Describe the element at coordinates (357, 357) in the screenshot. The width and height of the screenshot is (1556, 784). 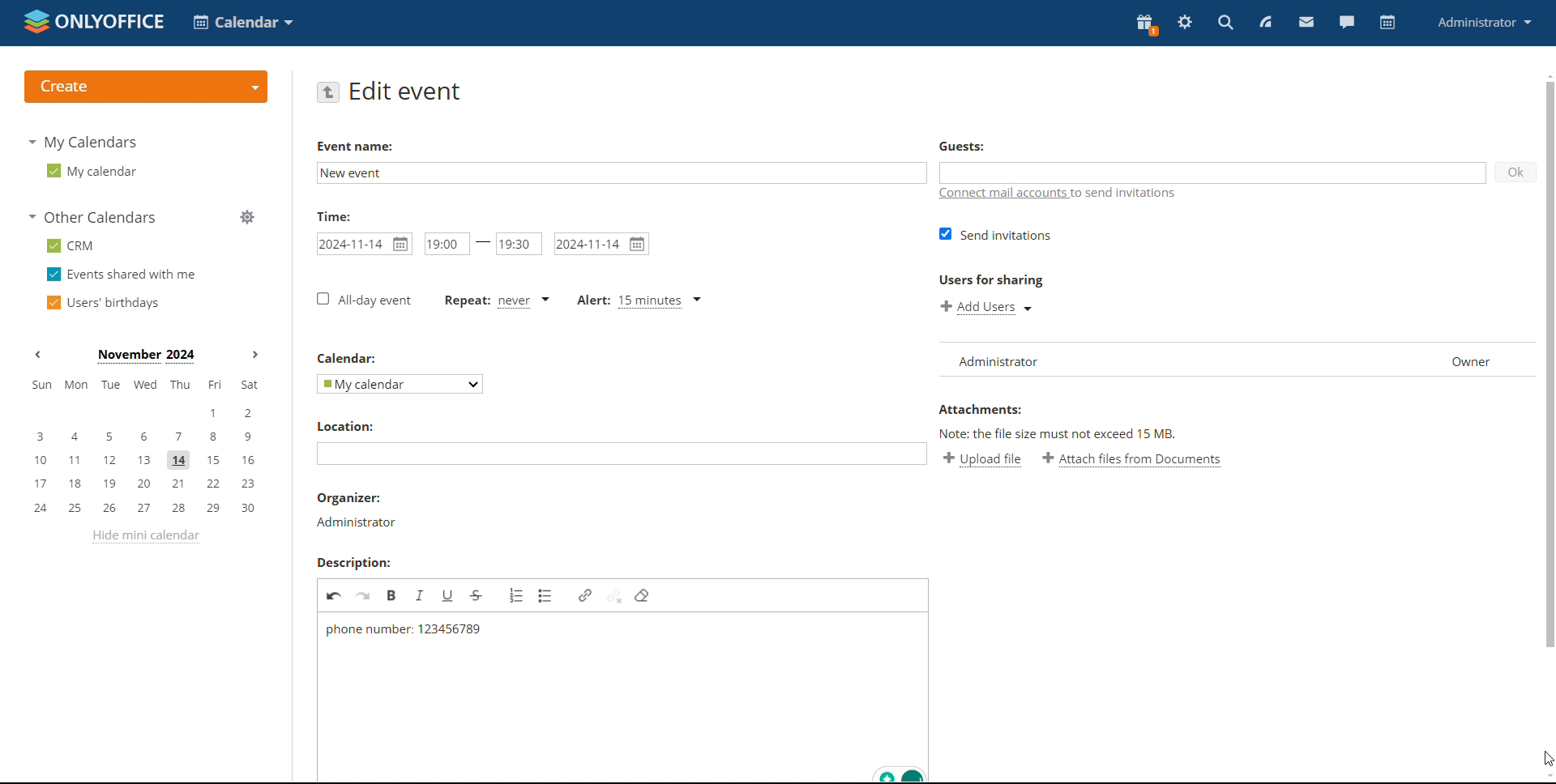
I see `calendar` at that location.